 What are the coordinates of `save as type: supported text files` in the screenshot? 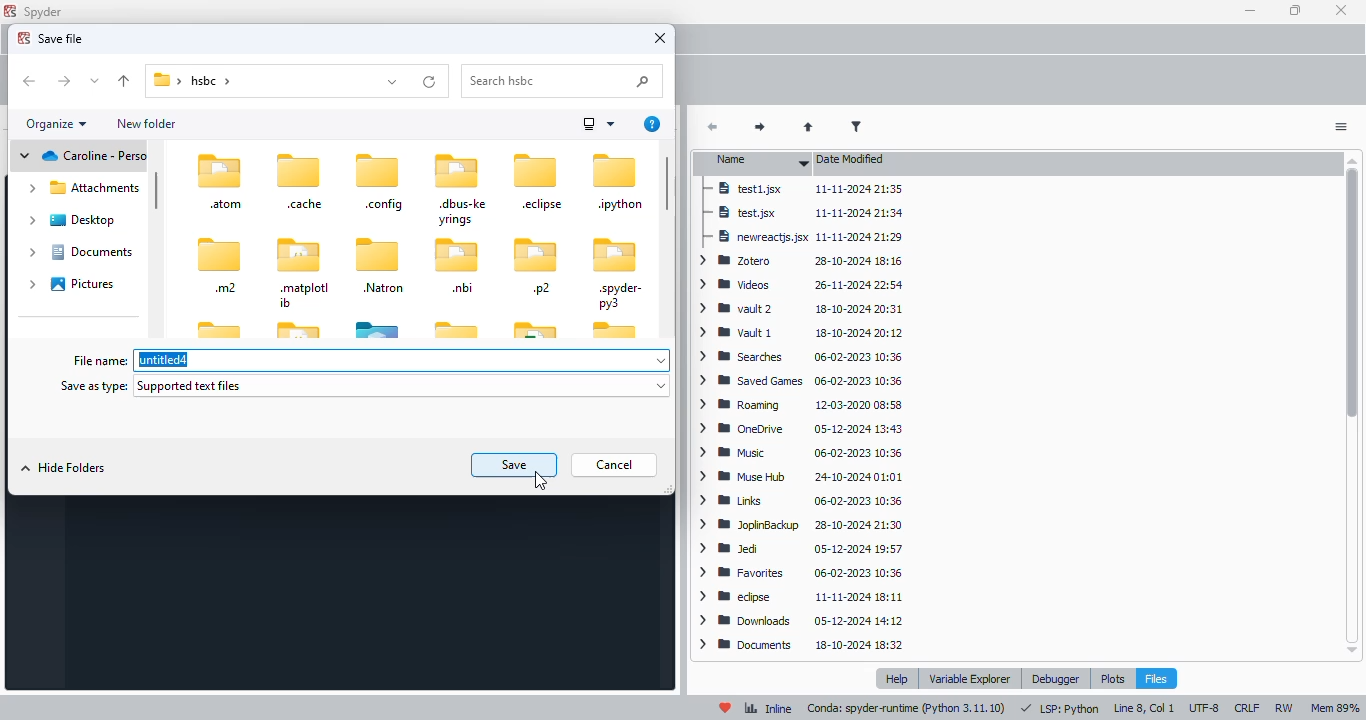 It's located at (363, 385).